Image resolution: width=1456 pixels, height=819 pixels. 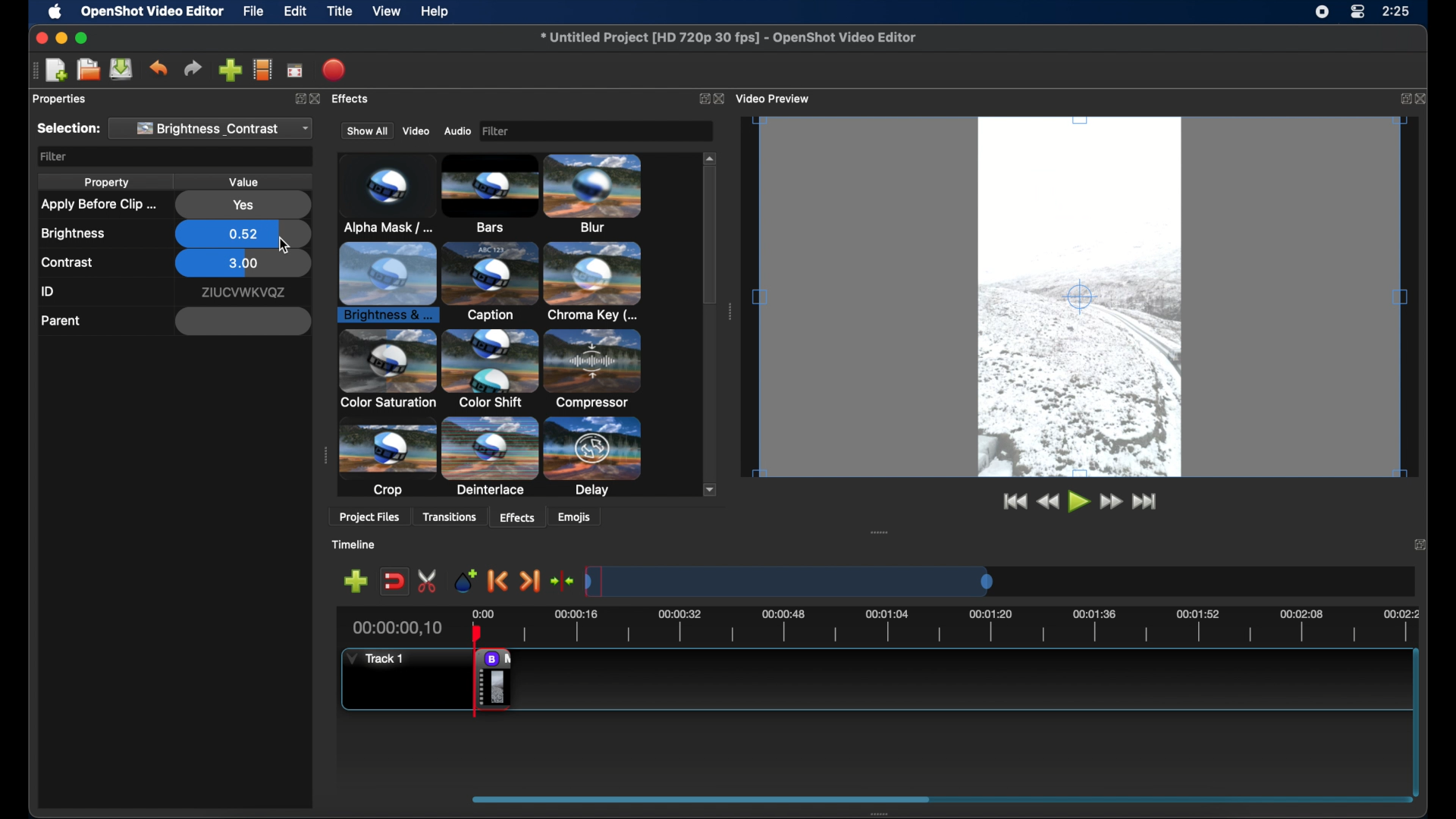 I want to click on help, so click(x=437, y=11).